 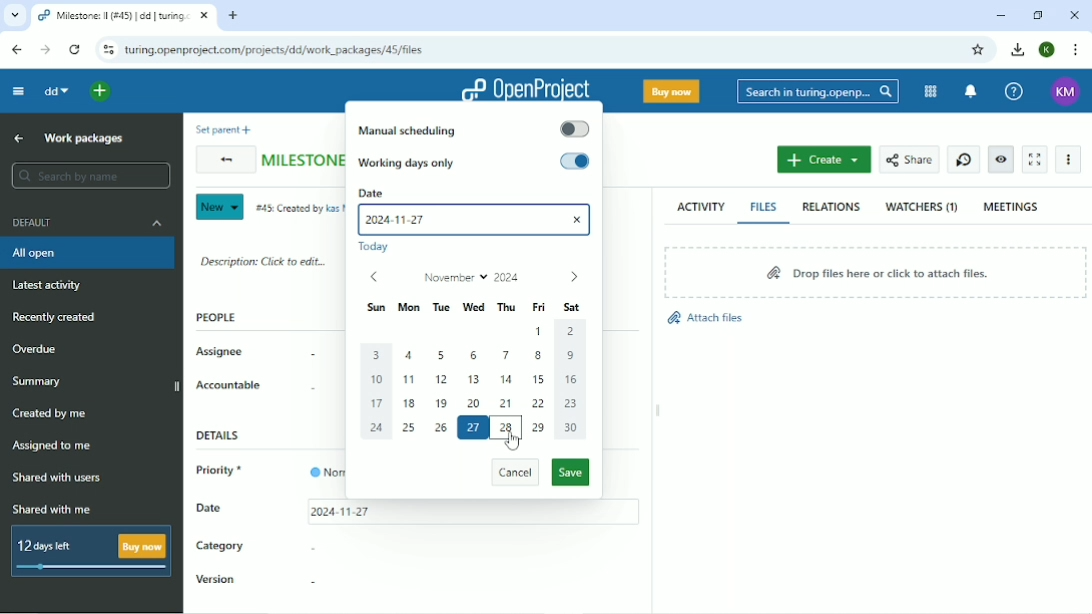 I want to click on Save, so click(x=571, y=472).